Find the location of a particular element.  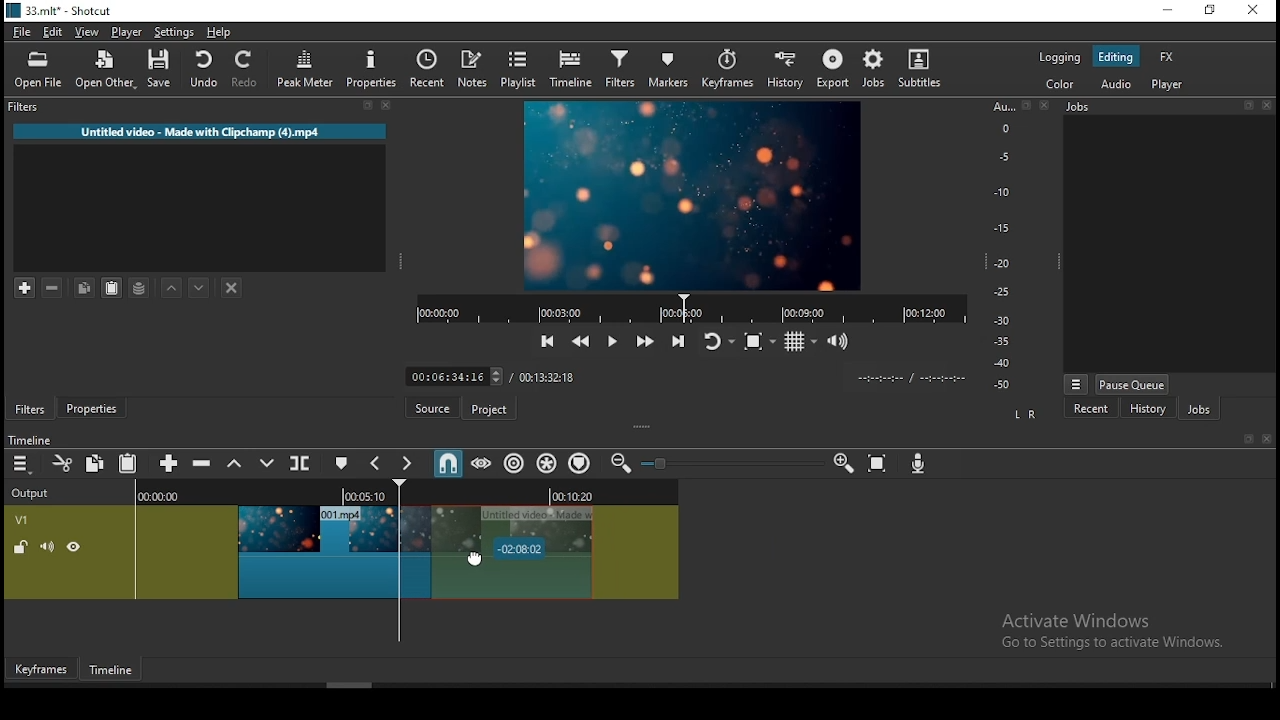

Timeframe is located at coordinates (116, 672).